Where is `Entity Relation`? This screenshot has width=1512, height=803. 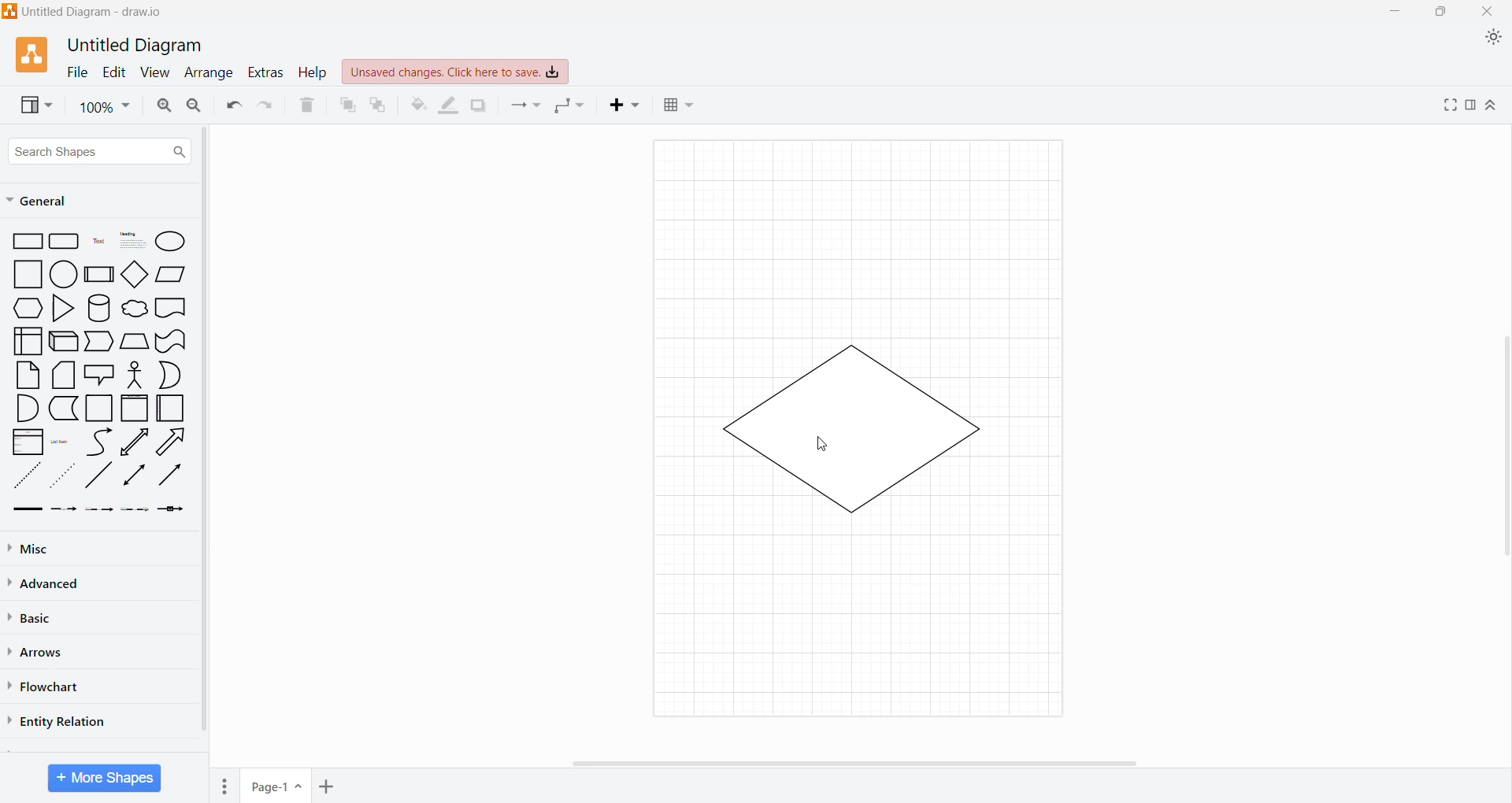 Entity Relation is located at coordinates (61, 720).